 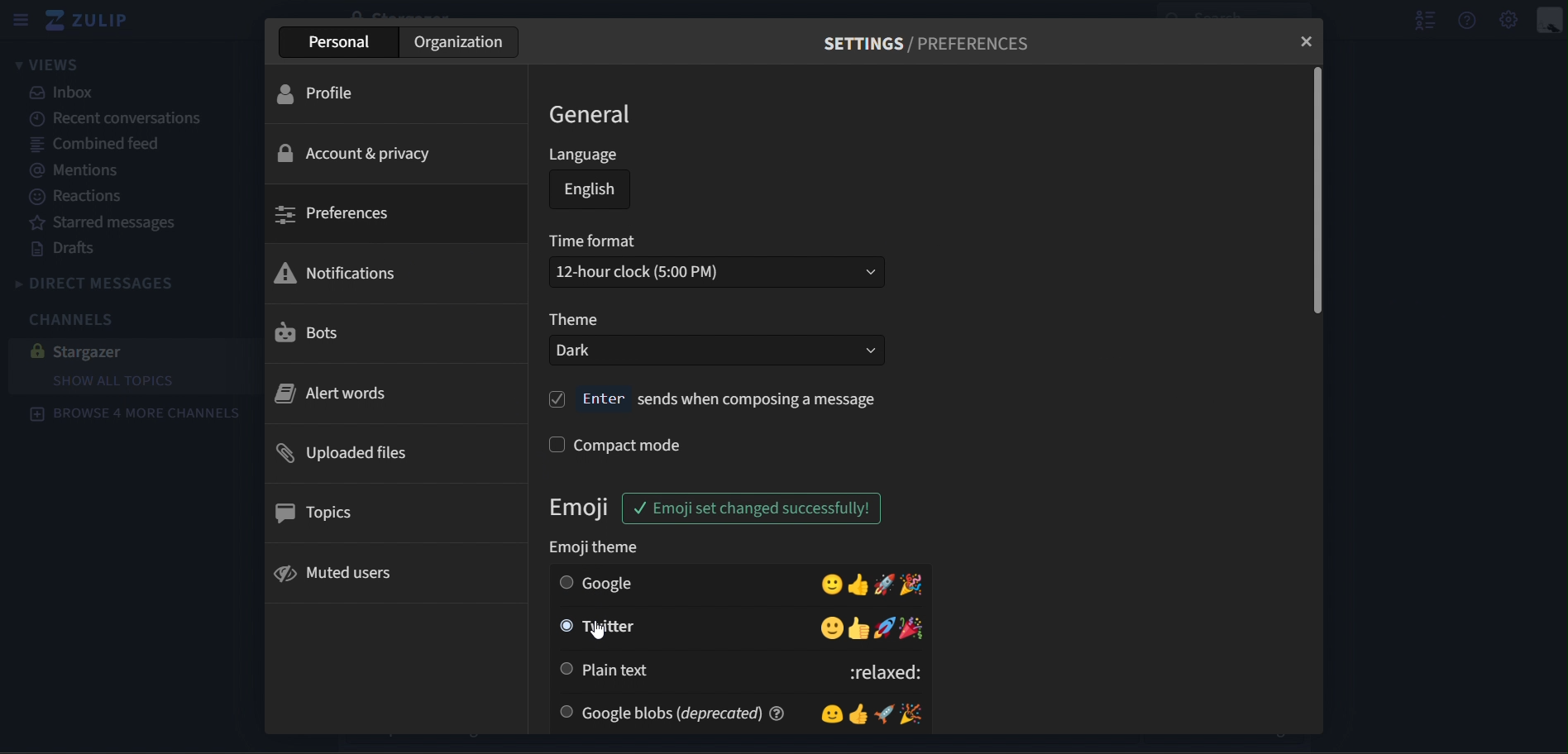 What do you see at coordinates (595, 115) in the screenshot?
I see `general` at bounding box center [595, 115].